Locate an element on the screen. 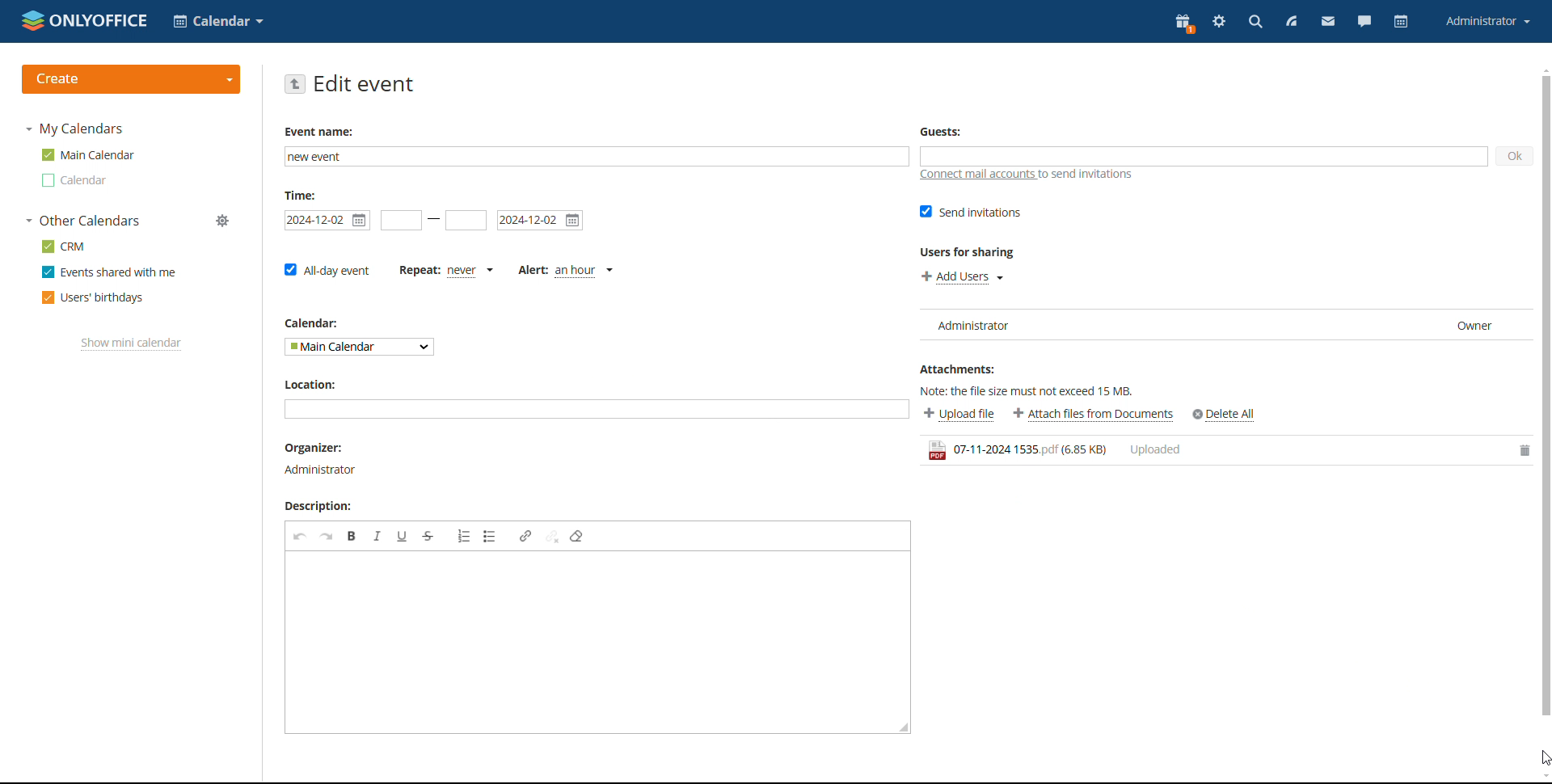 The width and height of the screenshot is (1552, 784). present is located at coordinates (1183, 23).